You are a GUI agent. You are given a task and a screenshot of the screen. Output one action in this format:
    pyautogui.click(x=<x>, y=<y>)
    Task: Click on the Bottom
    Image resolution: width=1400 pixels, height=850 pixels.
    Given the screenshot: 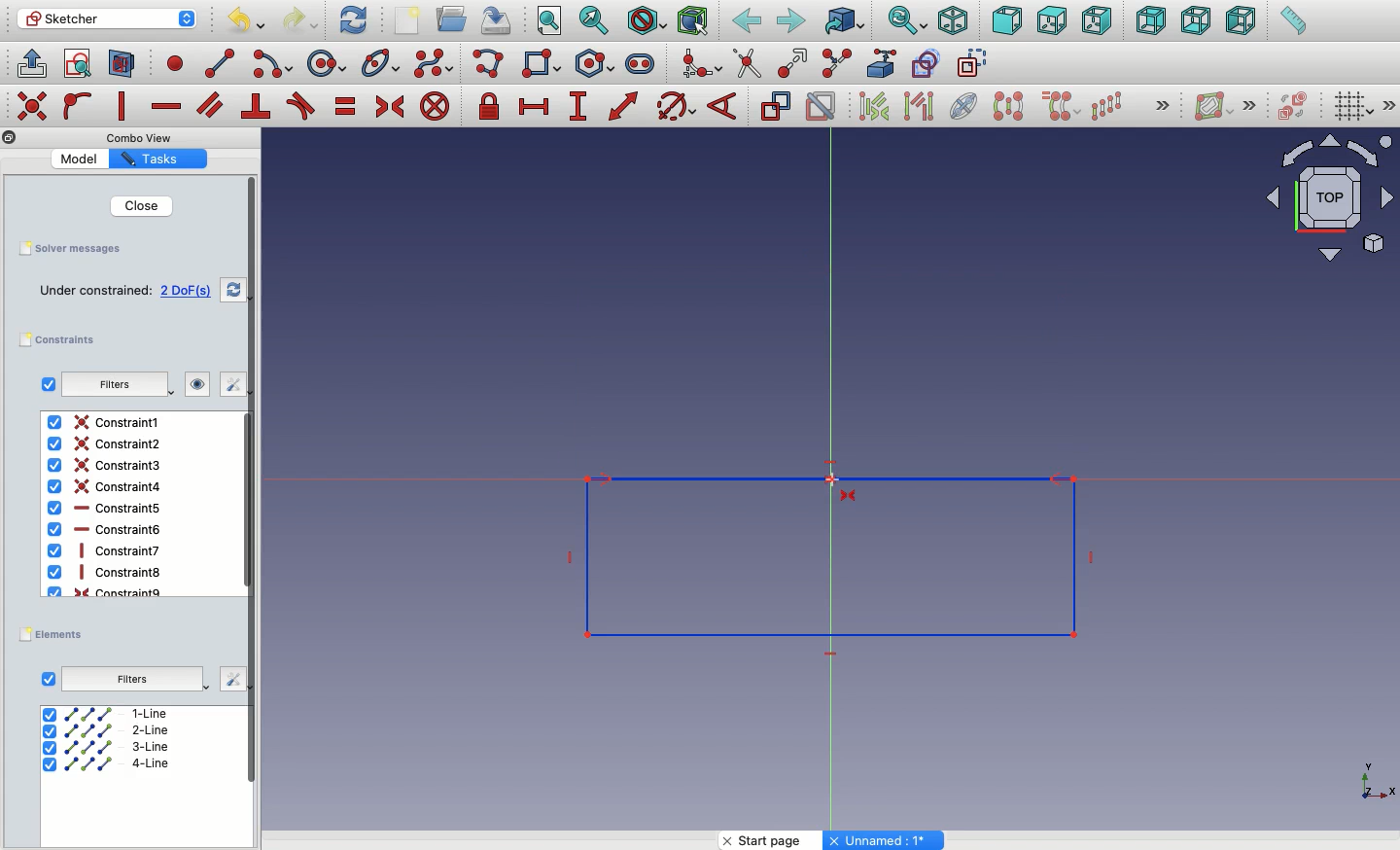 What is the action you would take?
    pyautogui.click(x=1194, y=22)
    